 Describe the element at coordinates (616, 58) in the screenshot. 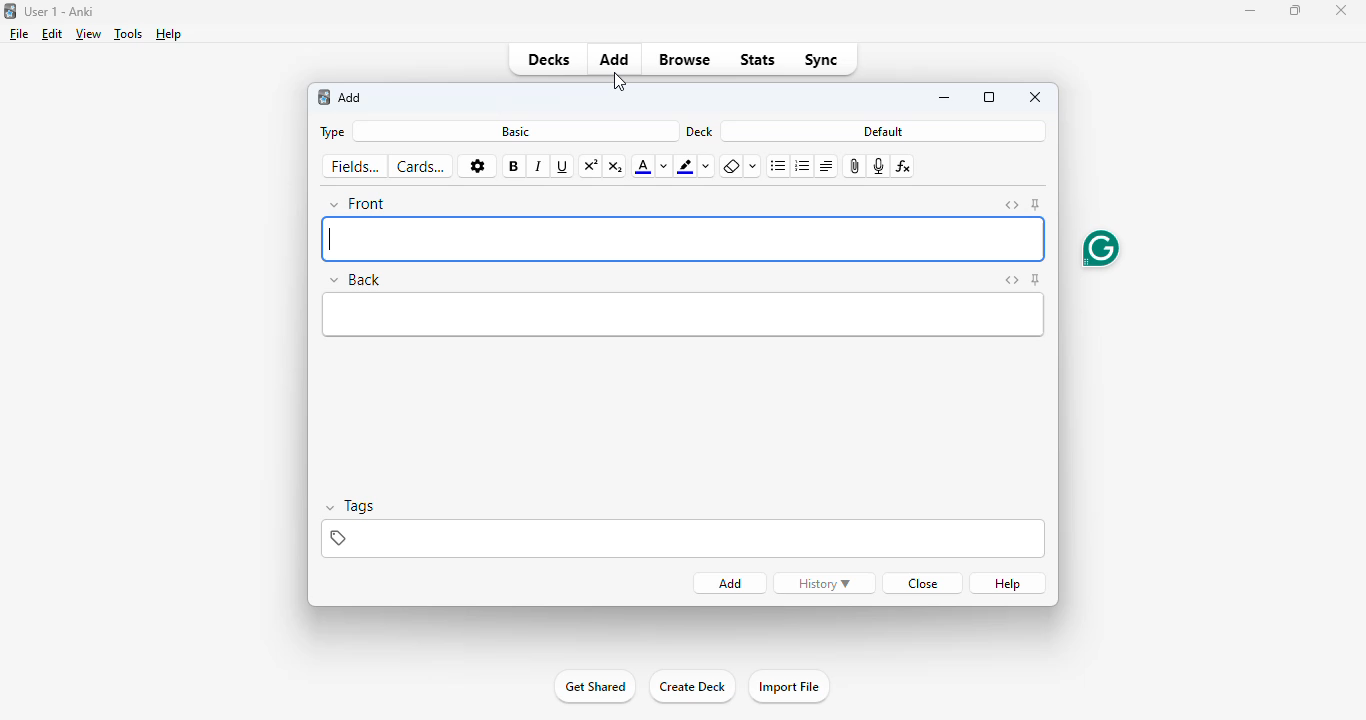

I see `add` at that location.